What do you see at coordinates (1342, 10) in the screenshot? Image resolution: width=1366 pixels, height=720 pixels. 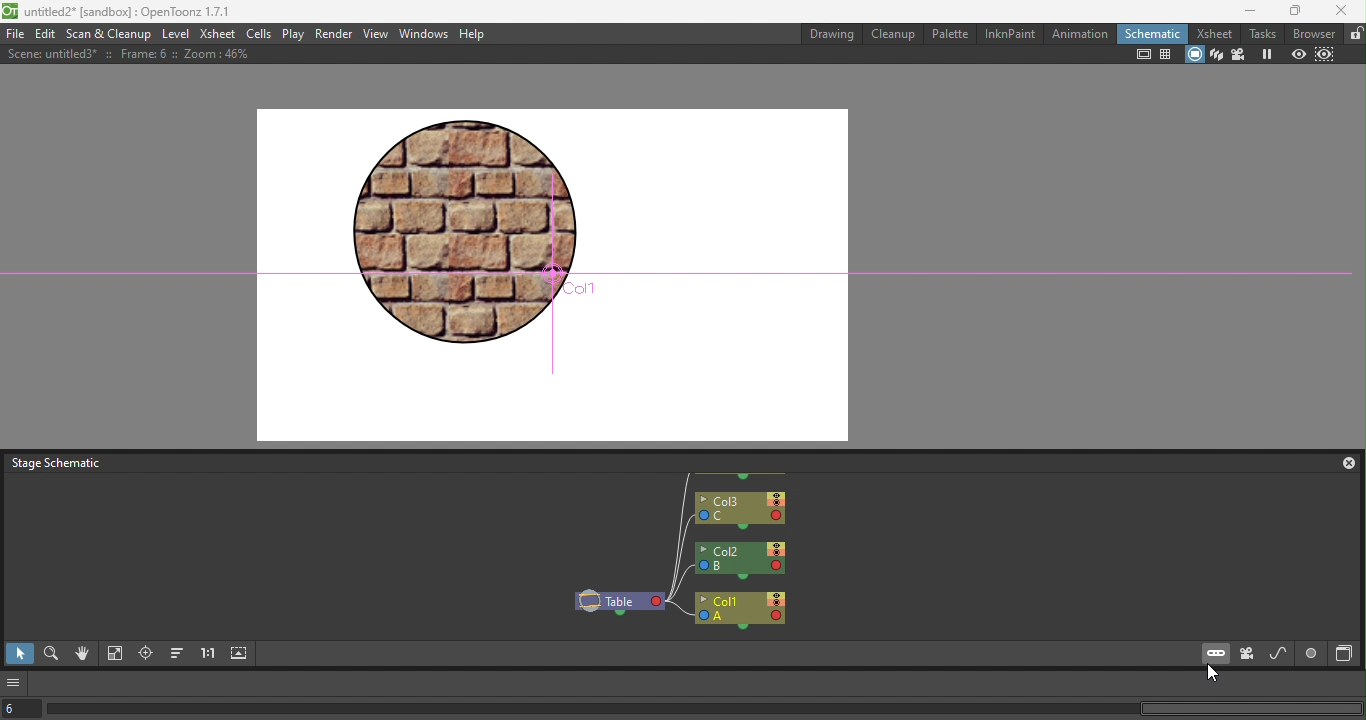 I see `Close` at bounding box center [1342, 10].